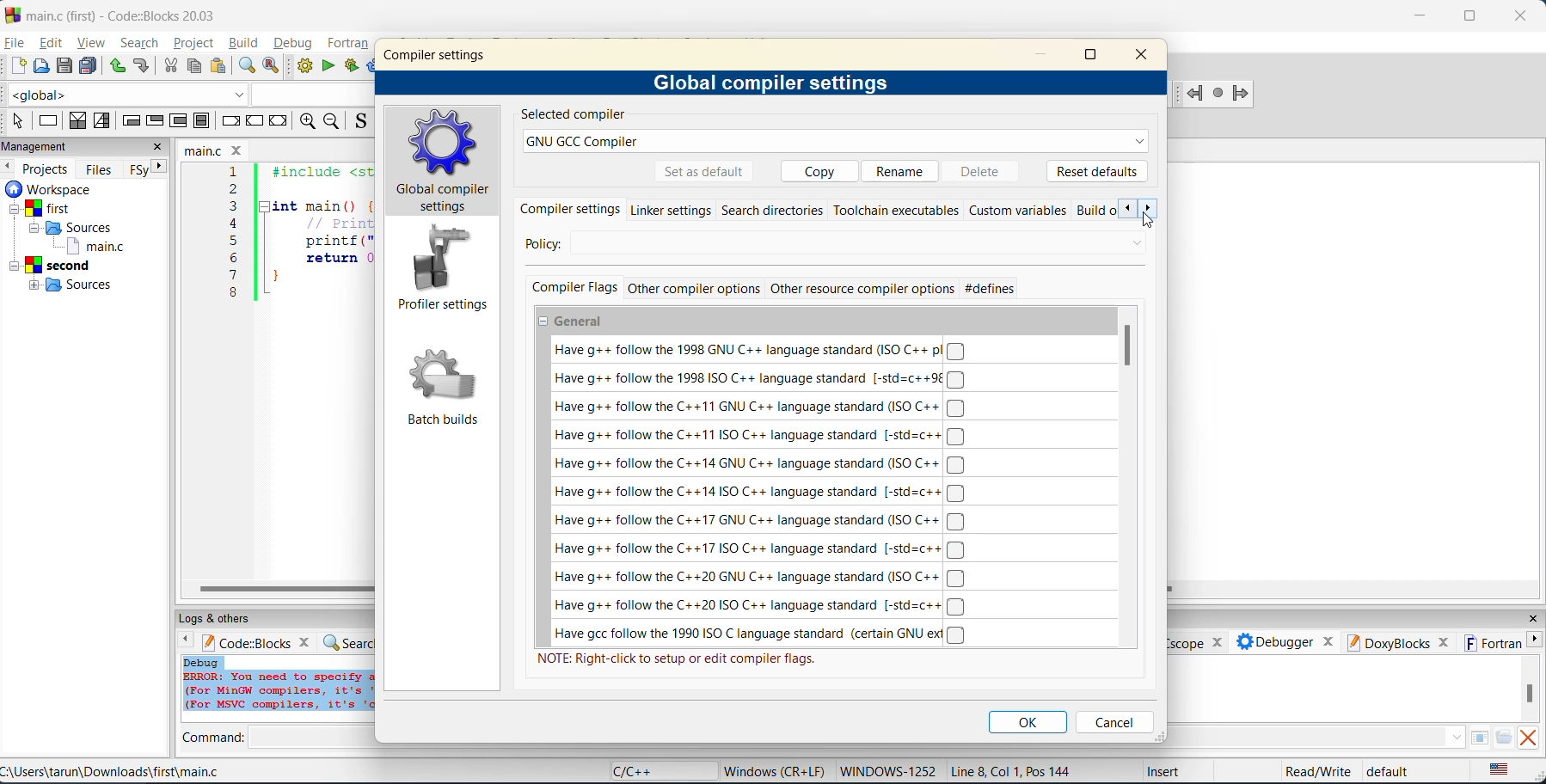  Describe the element at coordinates (1129, 345) in the screenshot. I see `vertical scroll bar` at that location.